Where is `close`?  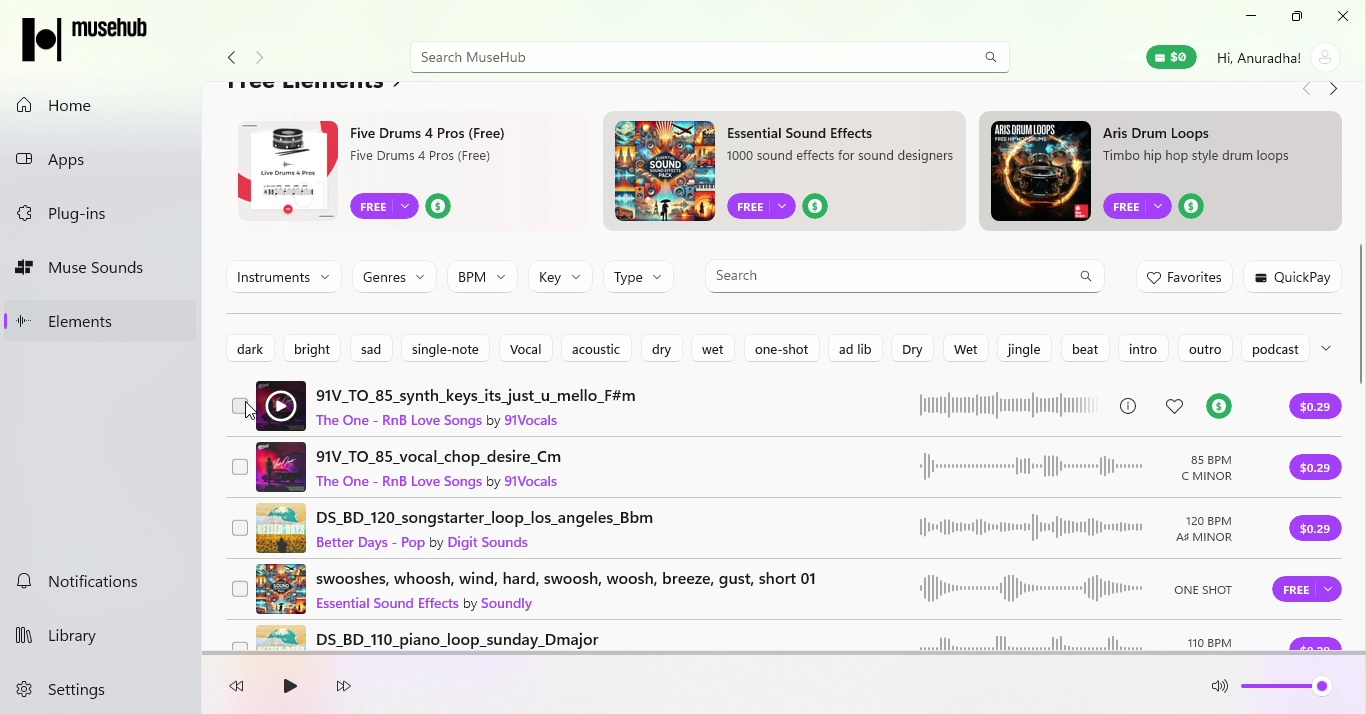 close is located at coordinates (1339, 16).